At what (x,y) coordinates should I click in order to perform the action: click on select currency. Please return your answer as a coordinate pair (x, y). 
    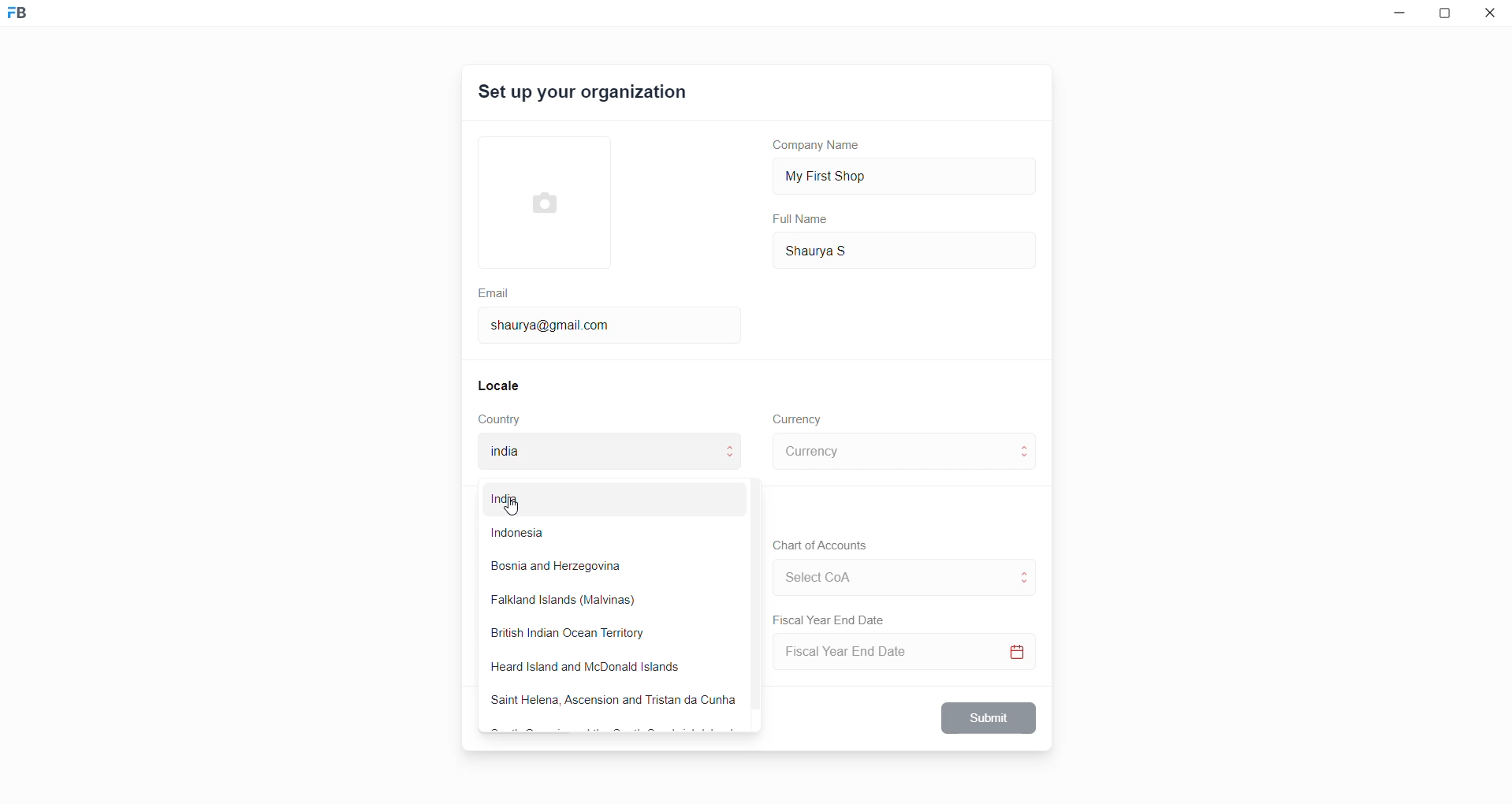
    Looking at the image, I should click on (891, 450).